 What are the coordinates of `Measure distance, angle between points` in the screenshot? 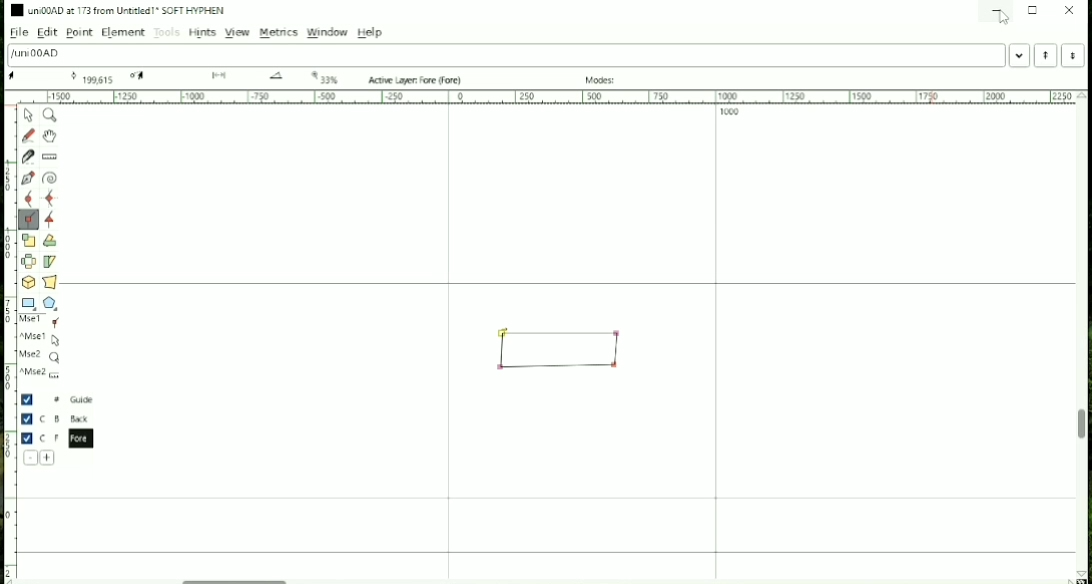 It's located at (51, 157).